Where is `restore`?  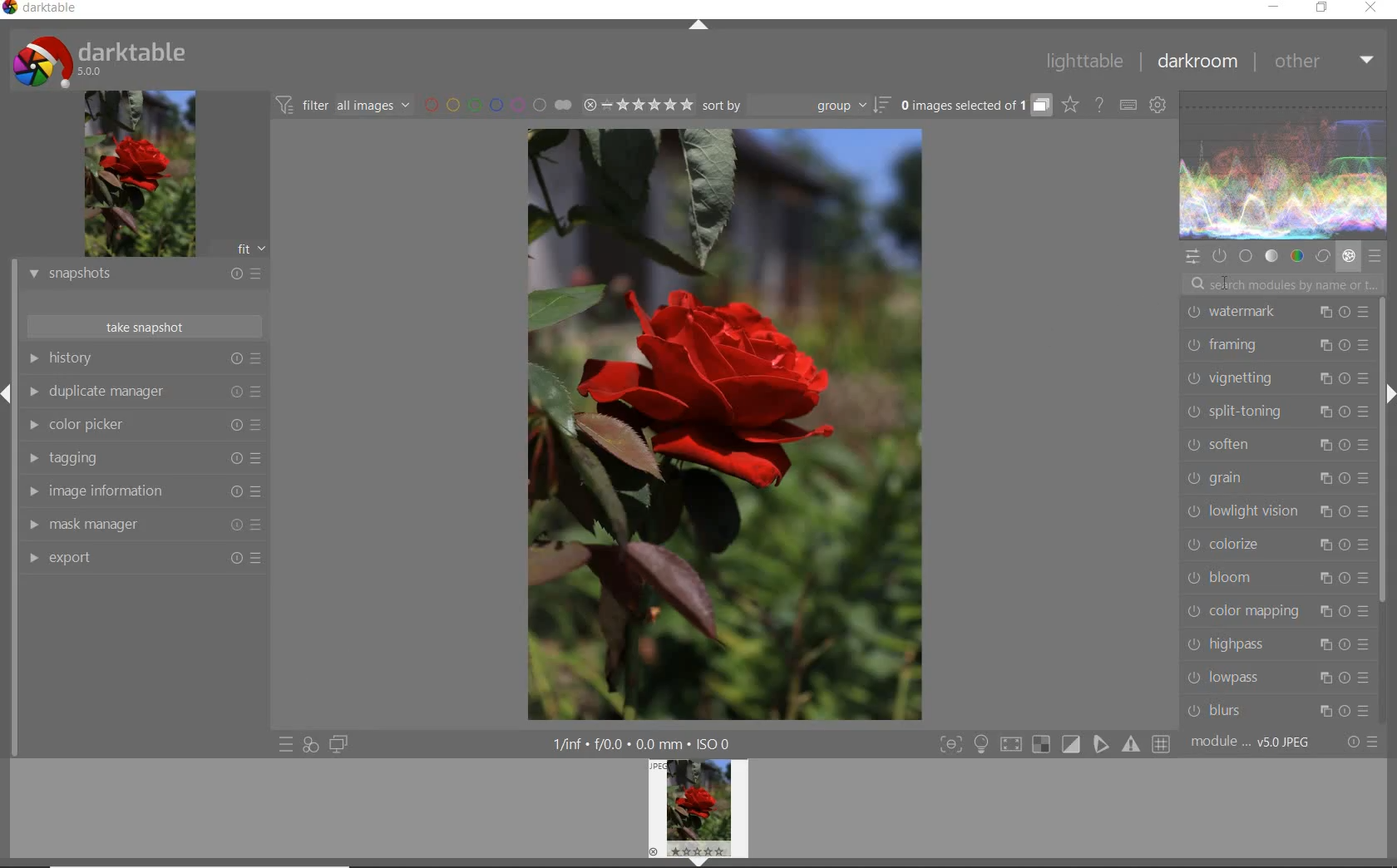 restore is located at coordinates (1324, 10).